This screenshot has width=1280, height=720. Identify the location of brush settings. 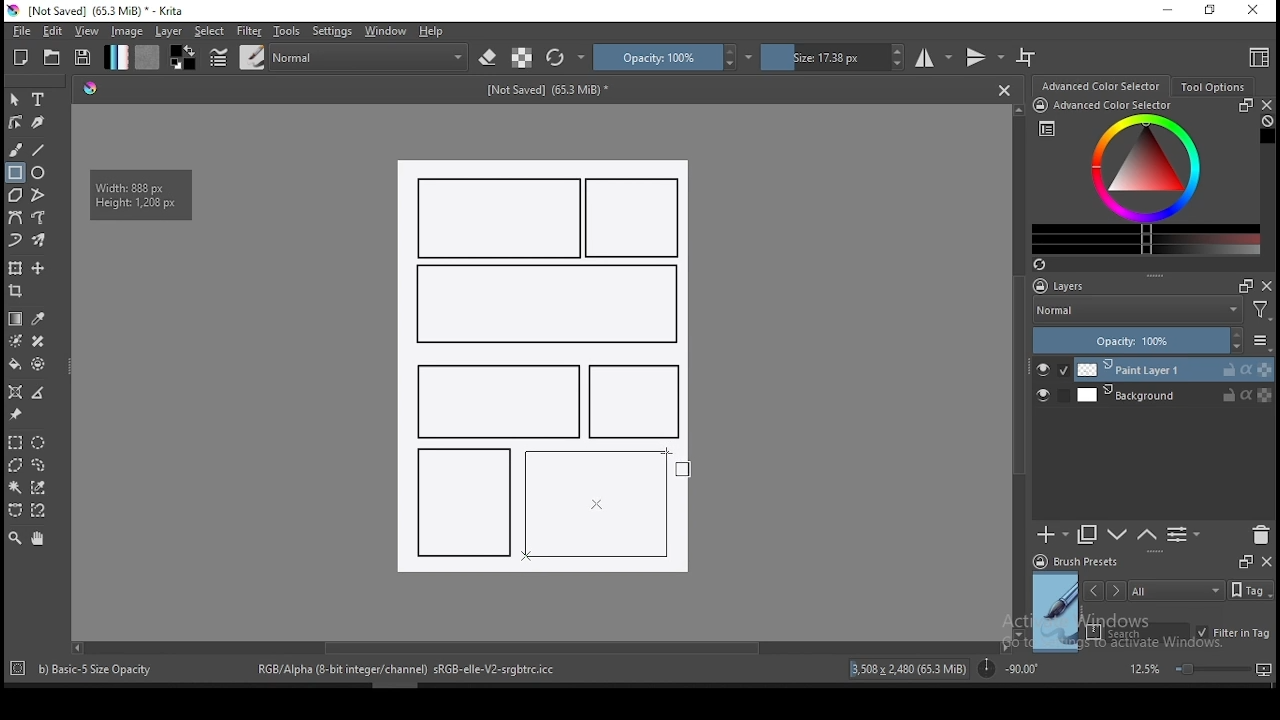
(217, 57).